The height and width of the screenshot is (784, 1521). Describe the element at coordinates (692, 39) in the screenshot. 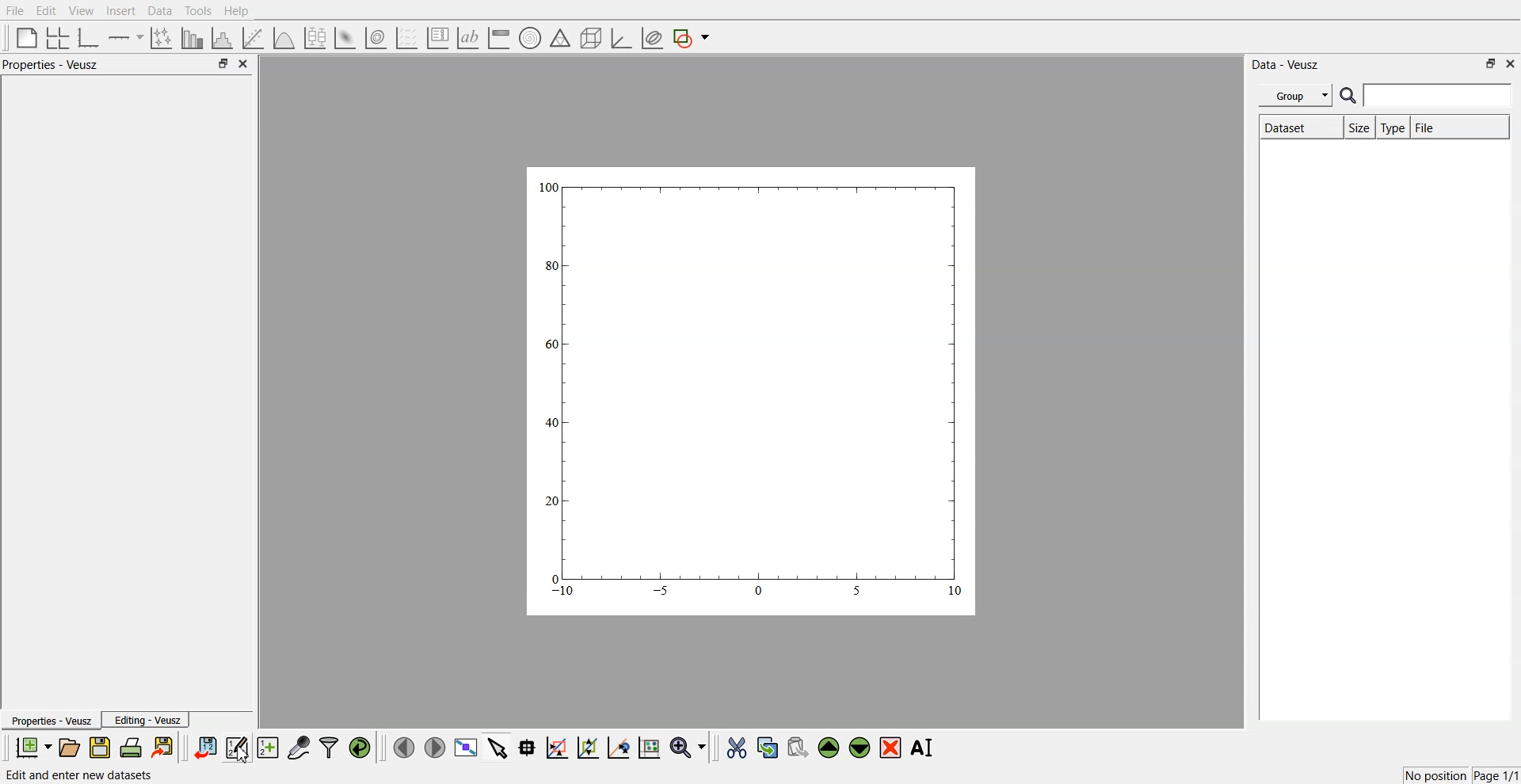

I see `add a shape` at that location.